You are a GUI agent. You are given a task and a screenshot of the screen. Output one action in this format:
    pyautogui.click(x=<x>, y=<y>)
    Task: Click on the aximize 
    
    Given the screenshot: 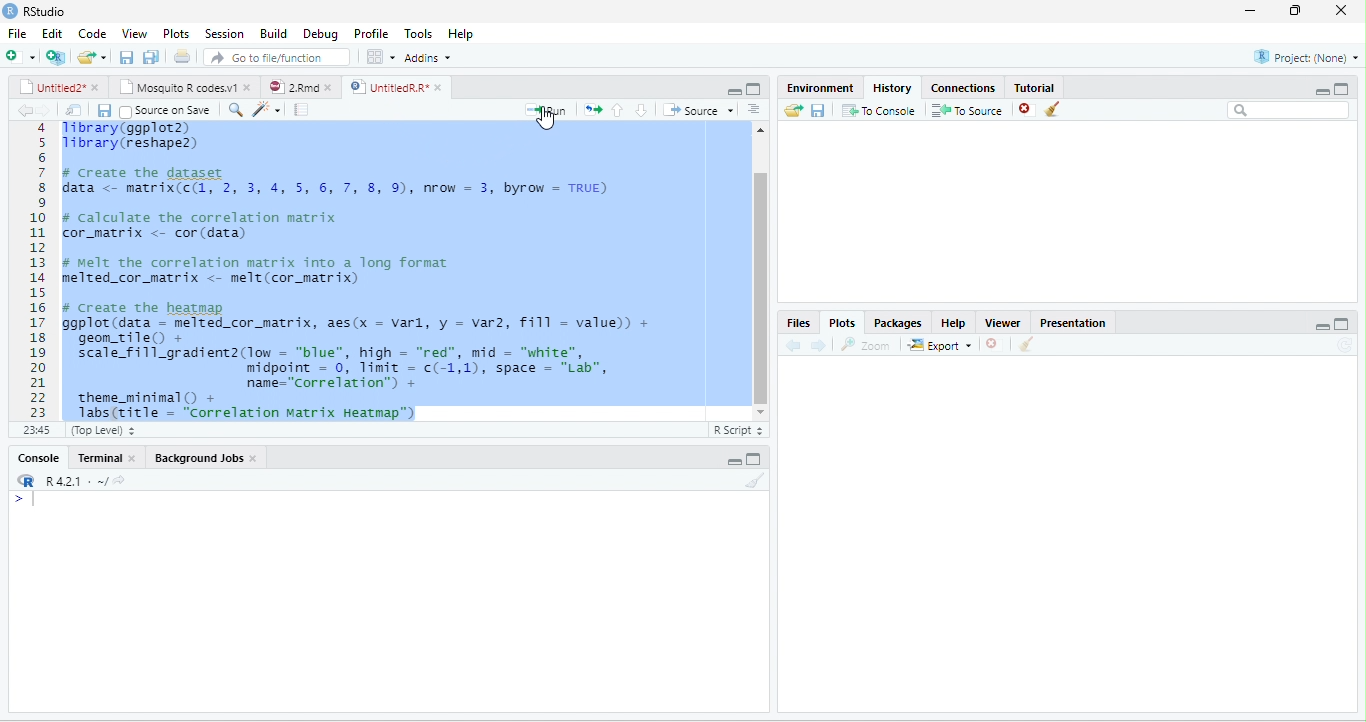 What is the action you would take?
    pyautogui.click(x=1348, y=86)
    